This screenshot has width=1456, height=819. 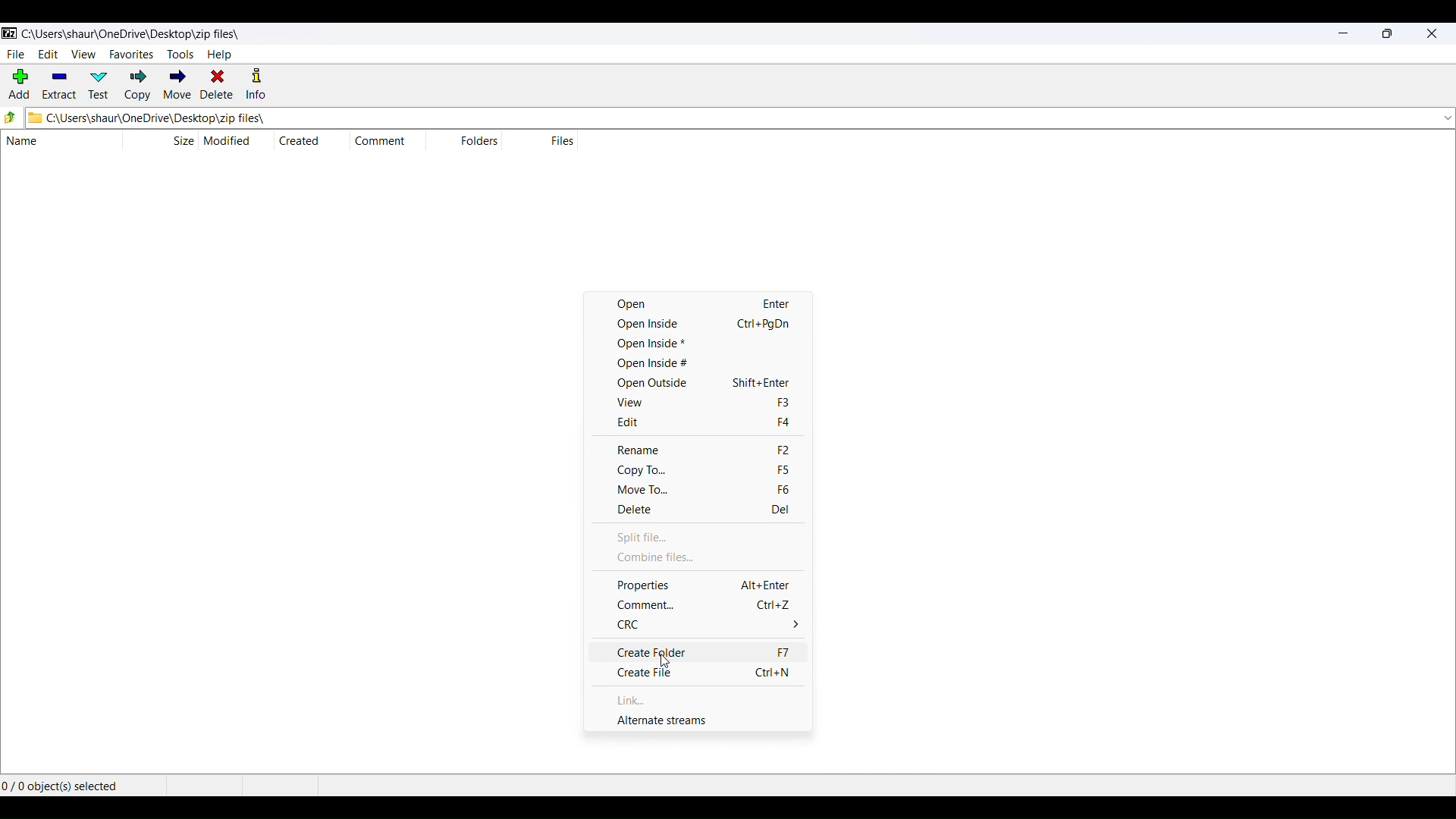 What do you see at coordinates (58, 86) in the screenshot?
I see `EXTRACT` at bounding box center [58, 86].